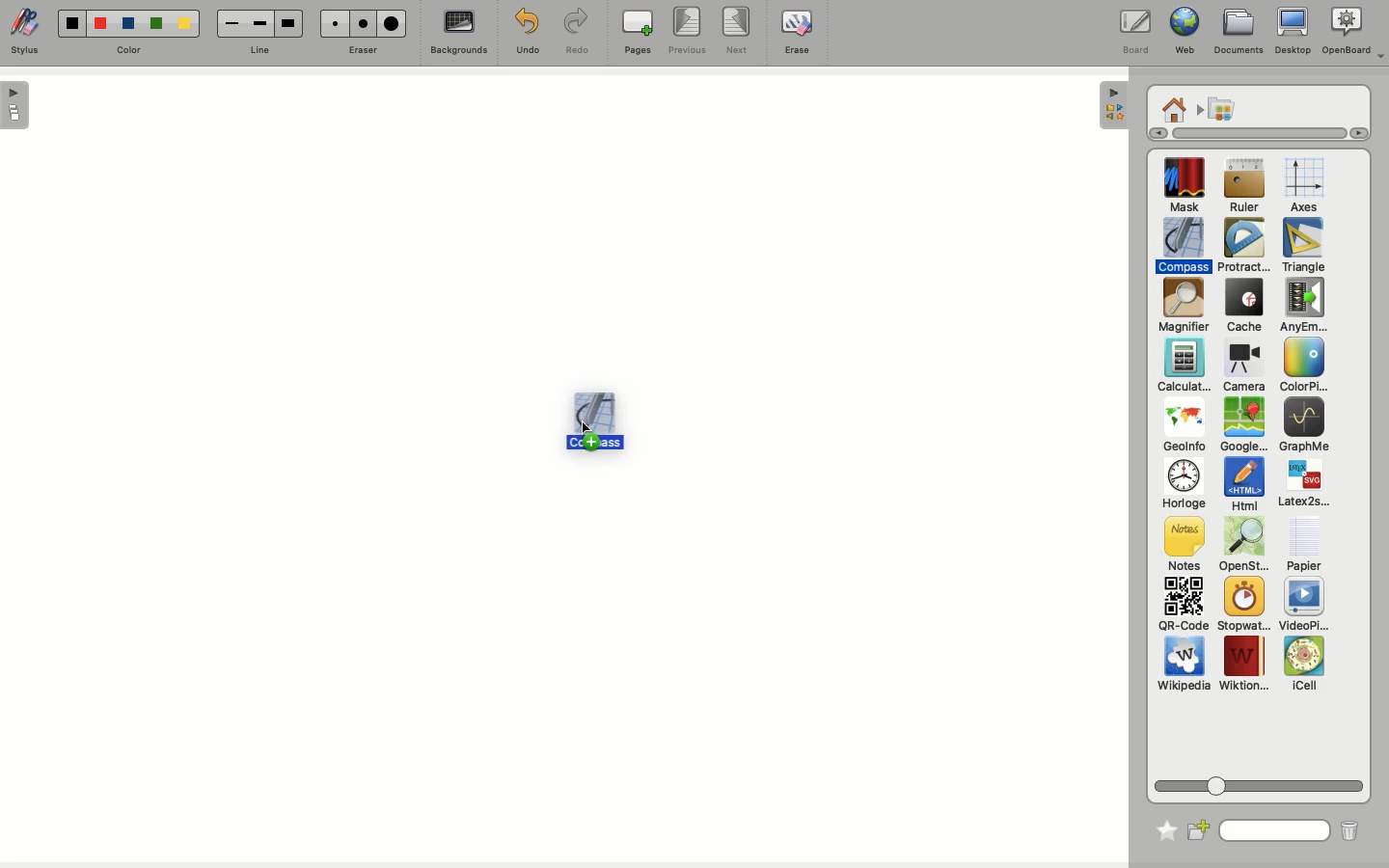 This screenshot has height=868, width=1389. What do you see at coordinates (1303, 543) in the screenshot?
I see `Papier` at bounding box center [1303, 543].